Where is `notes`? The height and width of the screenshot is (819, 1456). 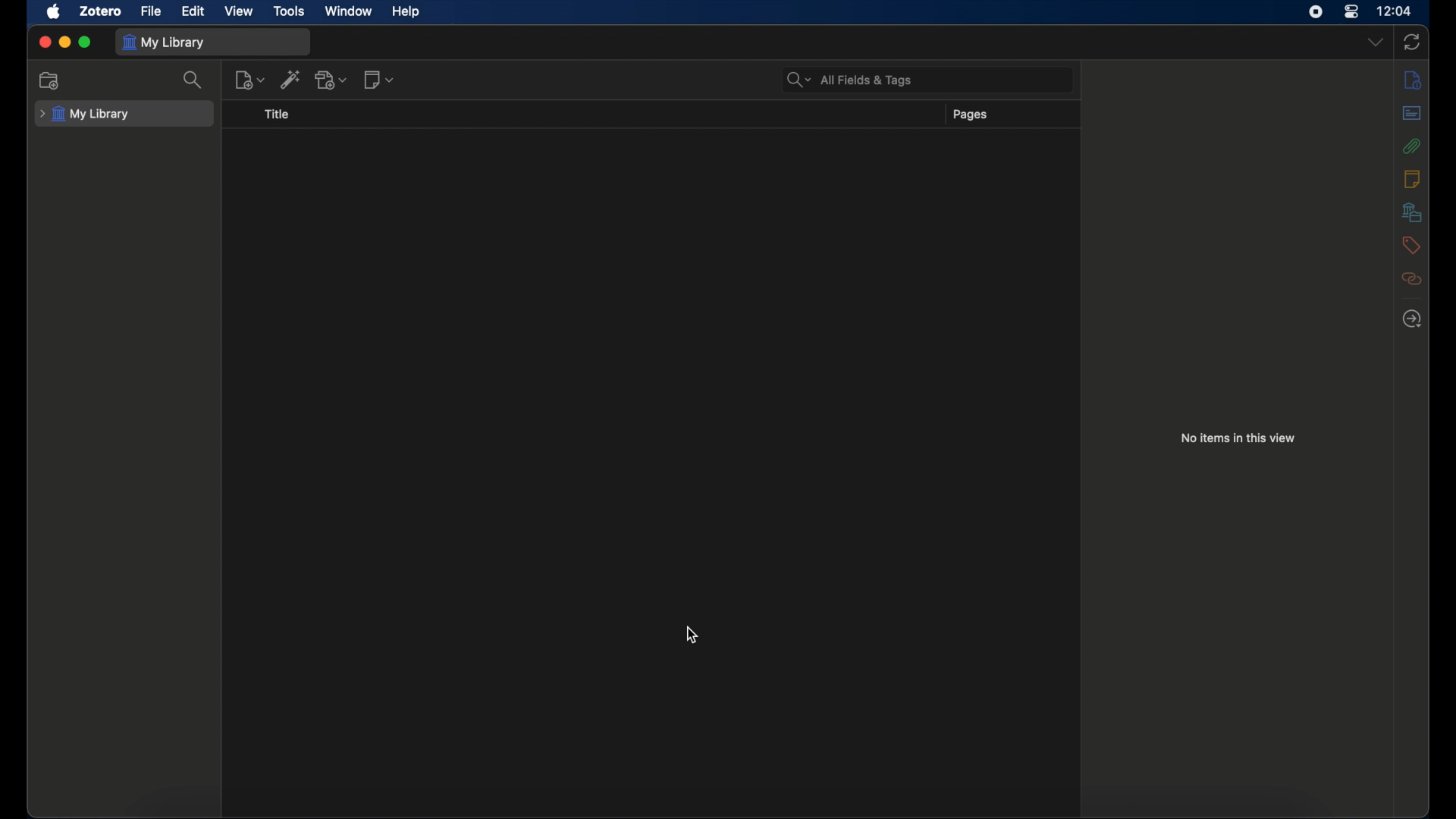
notes is located at coordinates (1411, 178).